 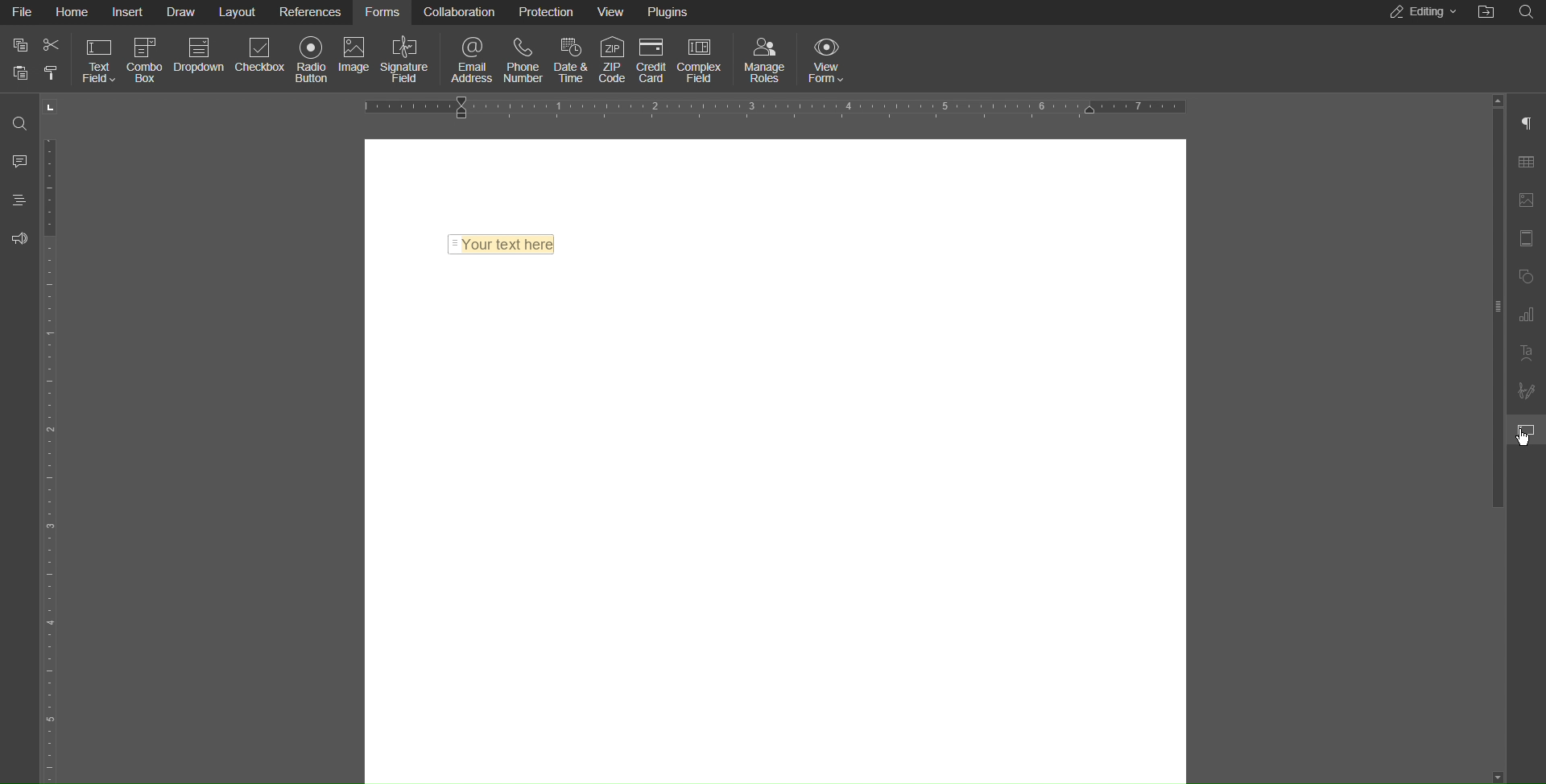 I want to click on Home, so click(x=72, y=12).